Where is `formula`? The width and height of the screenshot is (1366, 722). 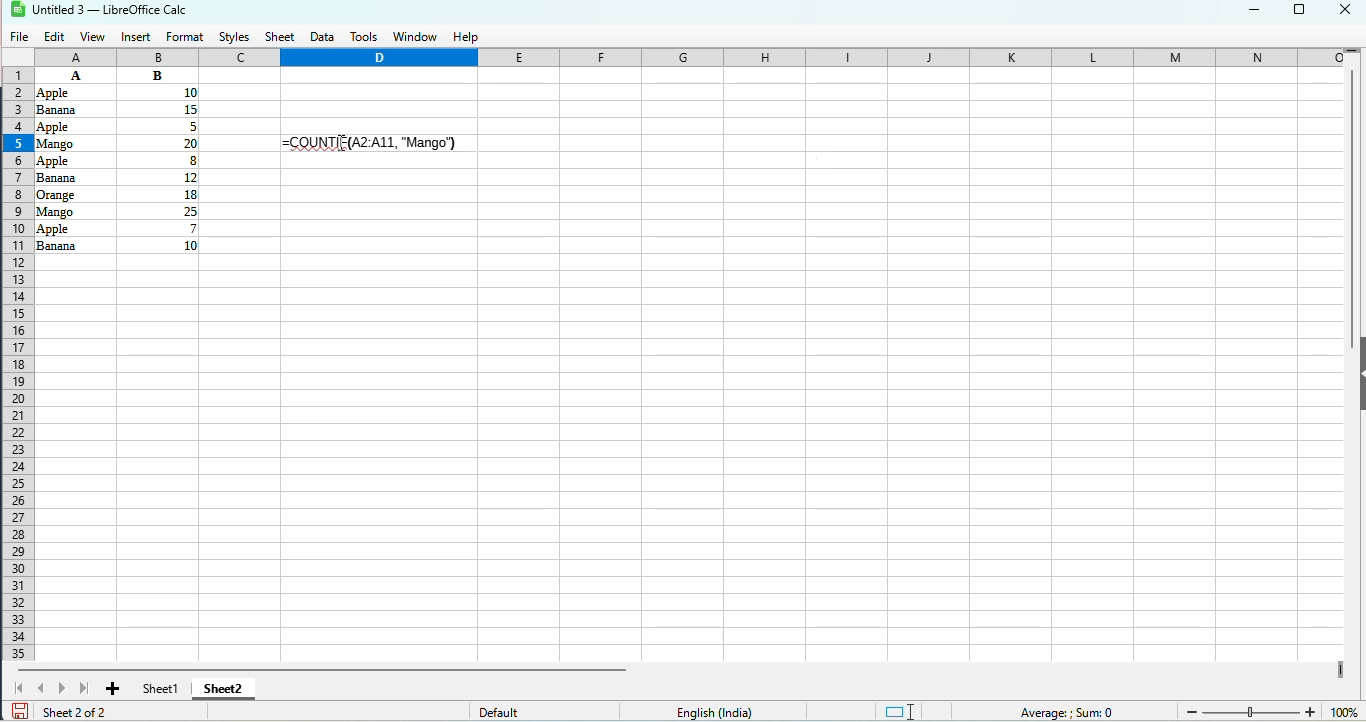
formula is located at coordinates (1066, 712).